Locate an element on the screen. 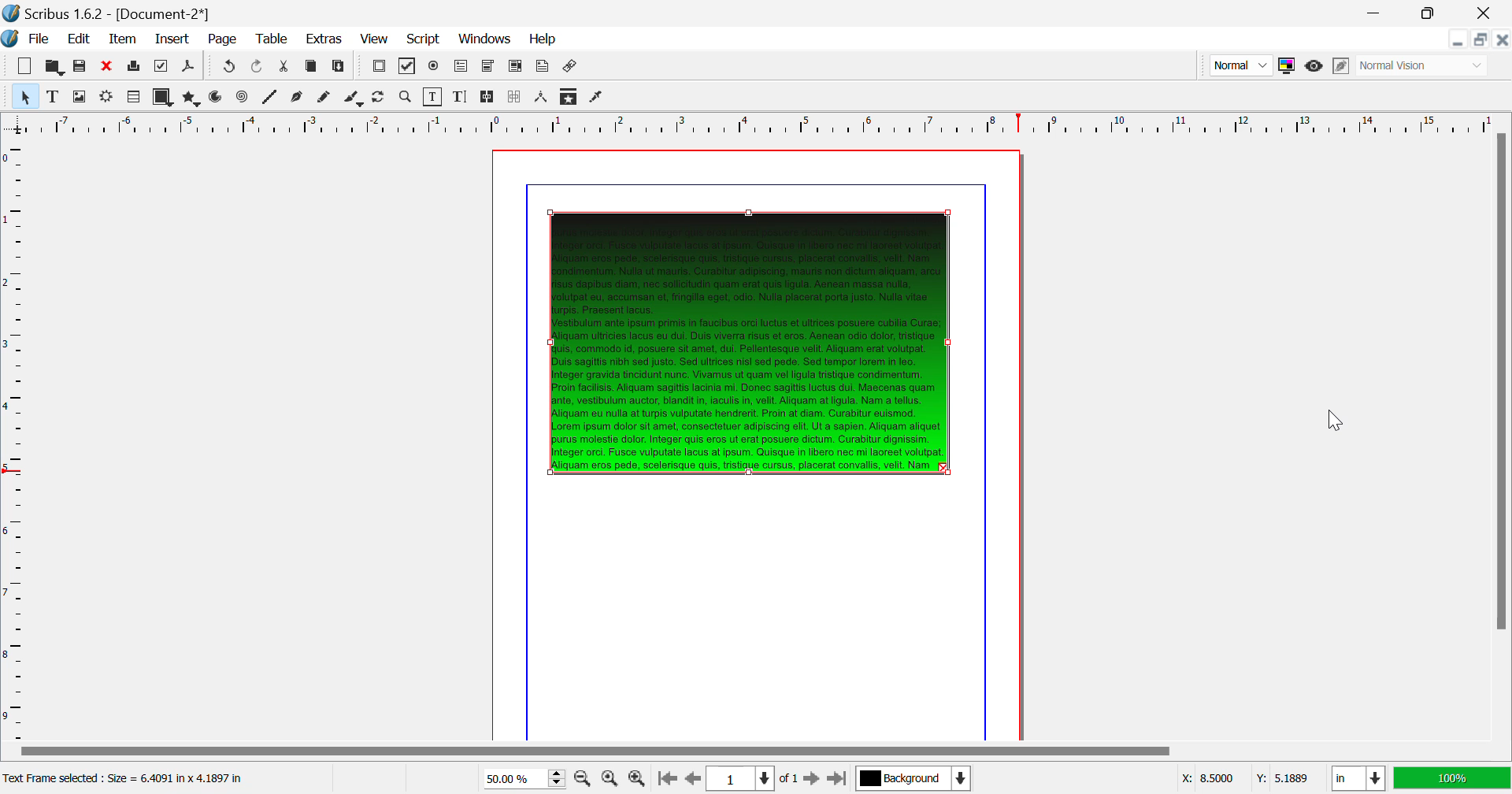 The width and height of the screenshot is (1512, 794). Freehand is located at coordinates (326, 98).